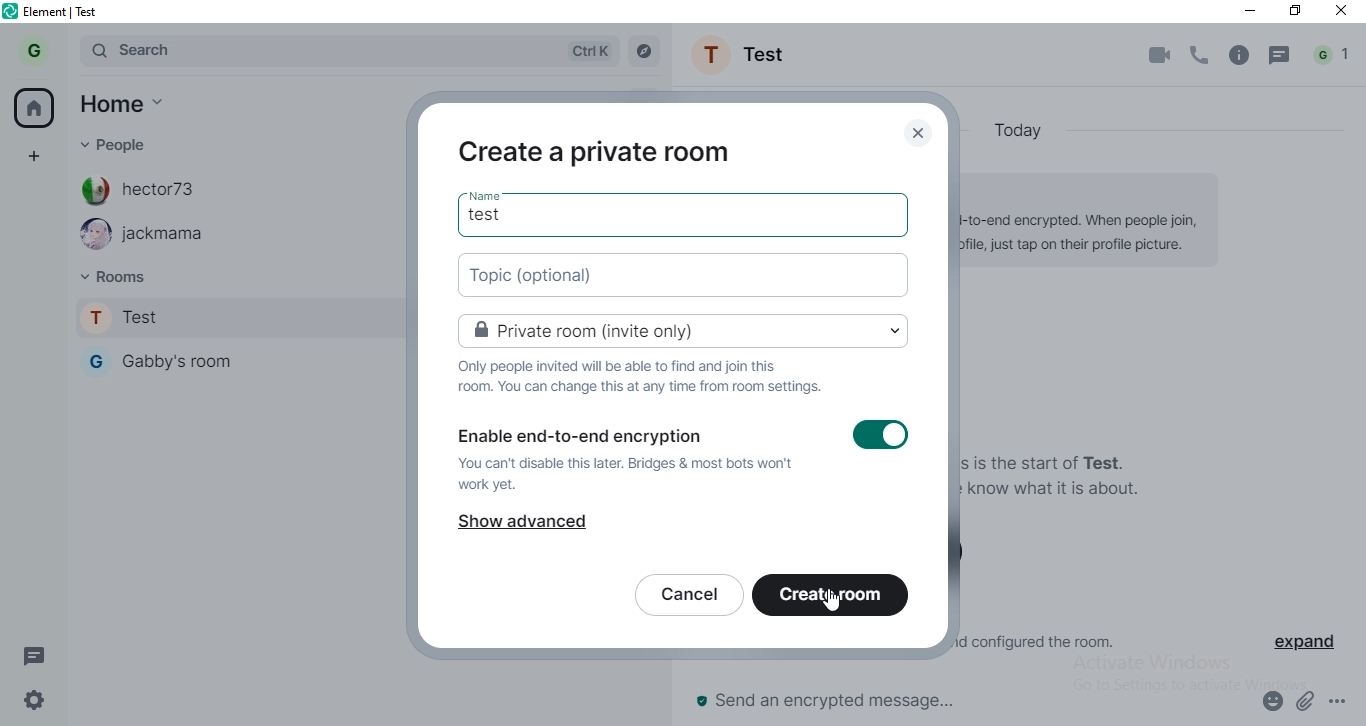 The height and width of the screenshot is (726, 1366). I want to click on message, so click(34, 659).